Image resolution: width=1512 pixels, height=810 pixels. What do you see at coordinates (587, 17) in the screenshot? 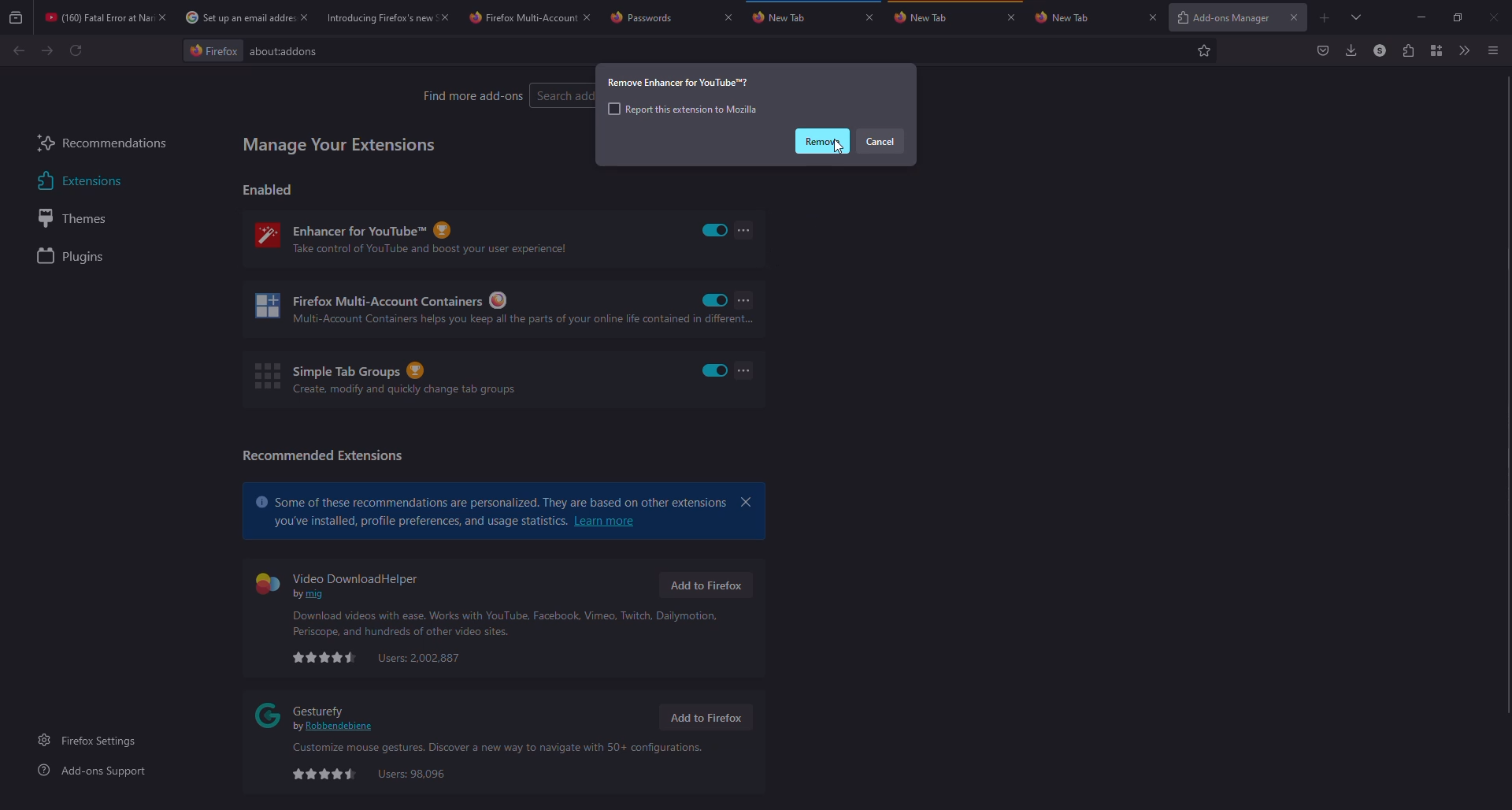
I see `close` at bounding box center [587, 17].